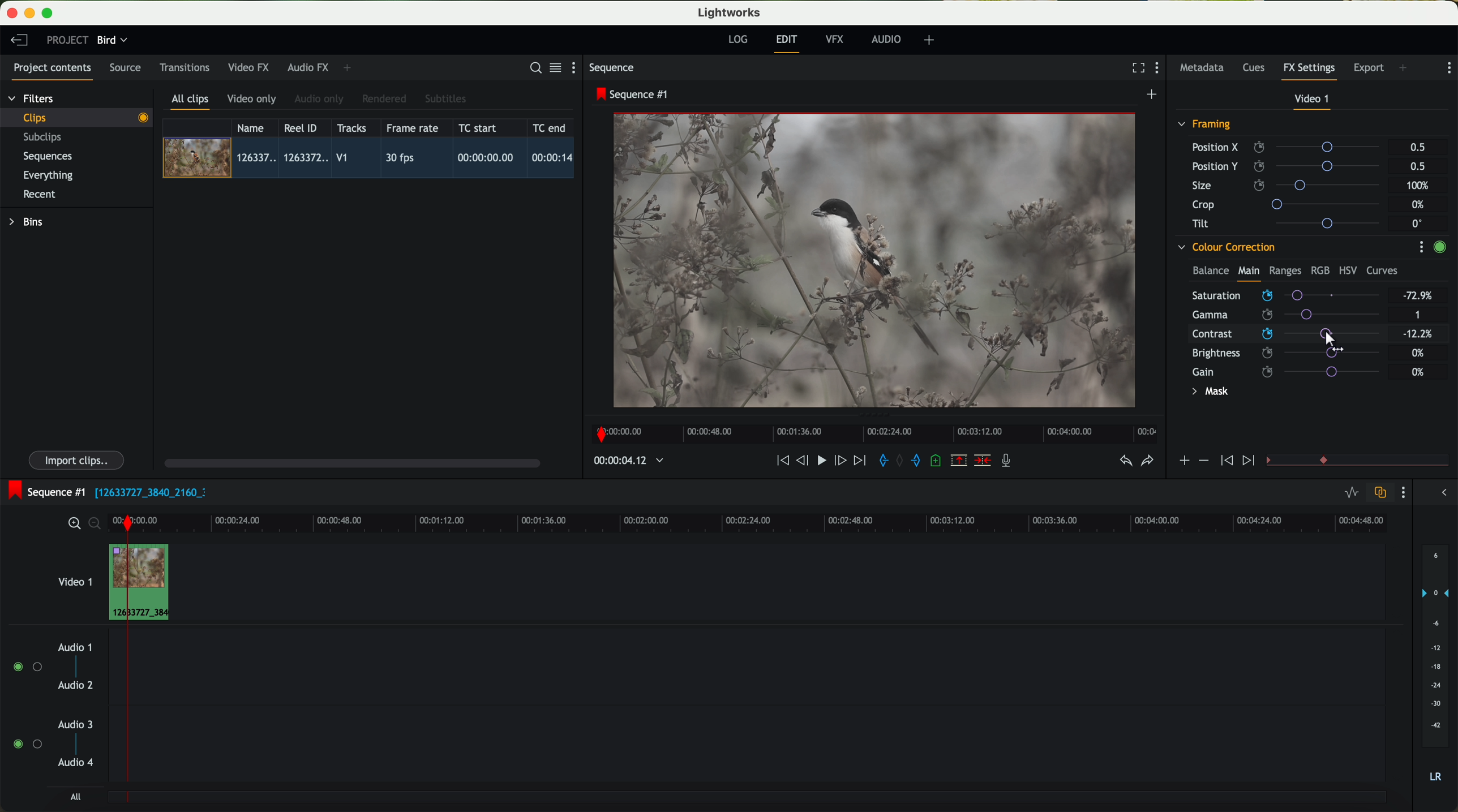 The width and height of the screenshot is (1458, 812). I want to click on close program, so click(12, 13).